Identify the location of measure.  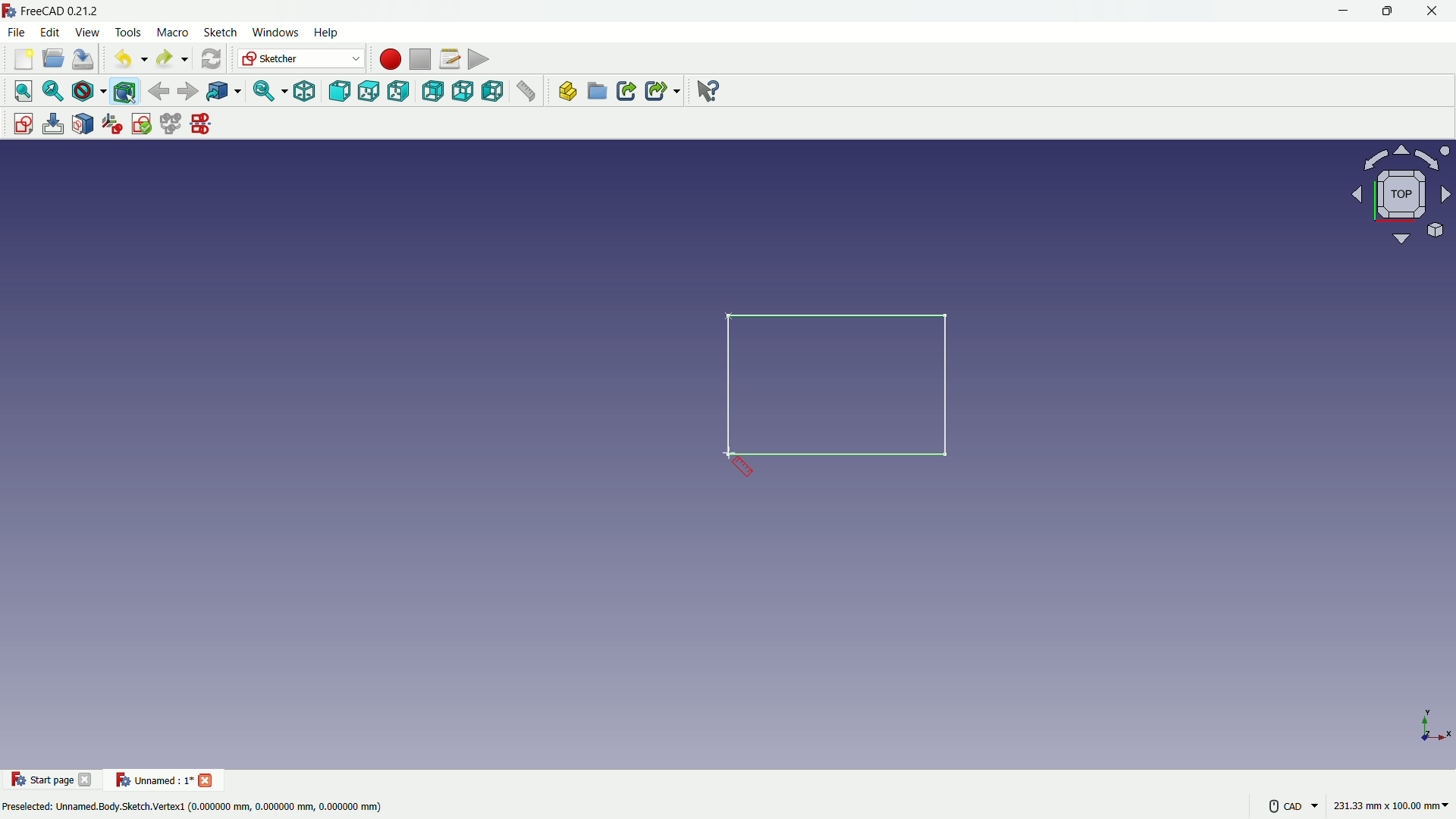
(528, 93).